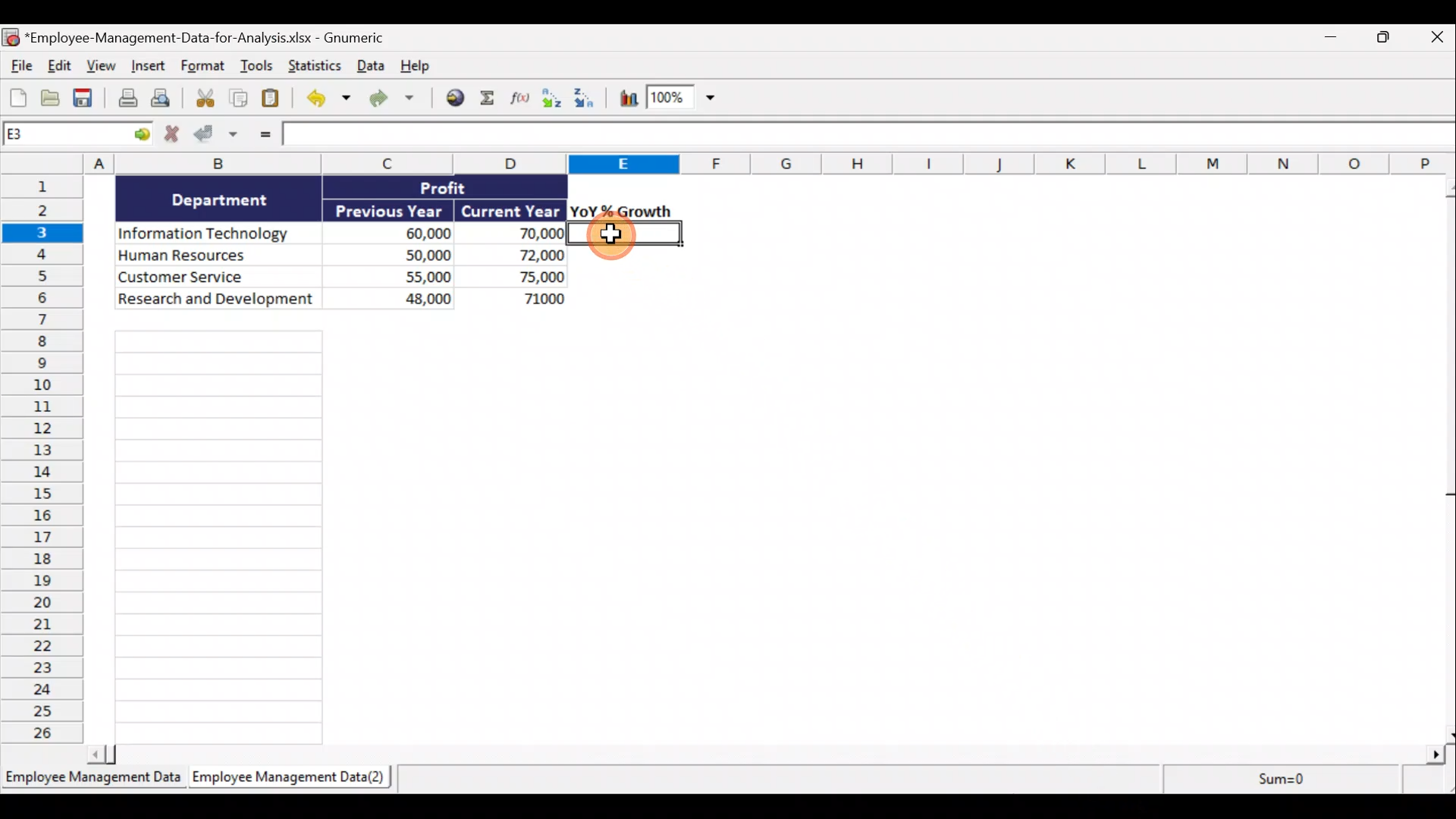 The image size is (1456, 819). What do you see at coordinates (1307, 781) in the screenshot?
I see `Sum=0` at bounding box center [1307, 781].